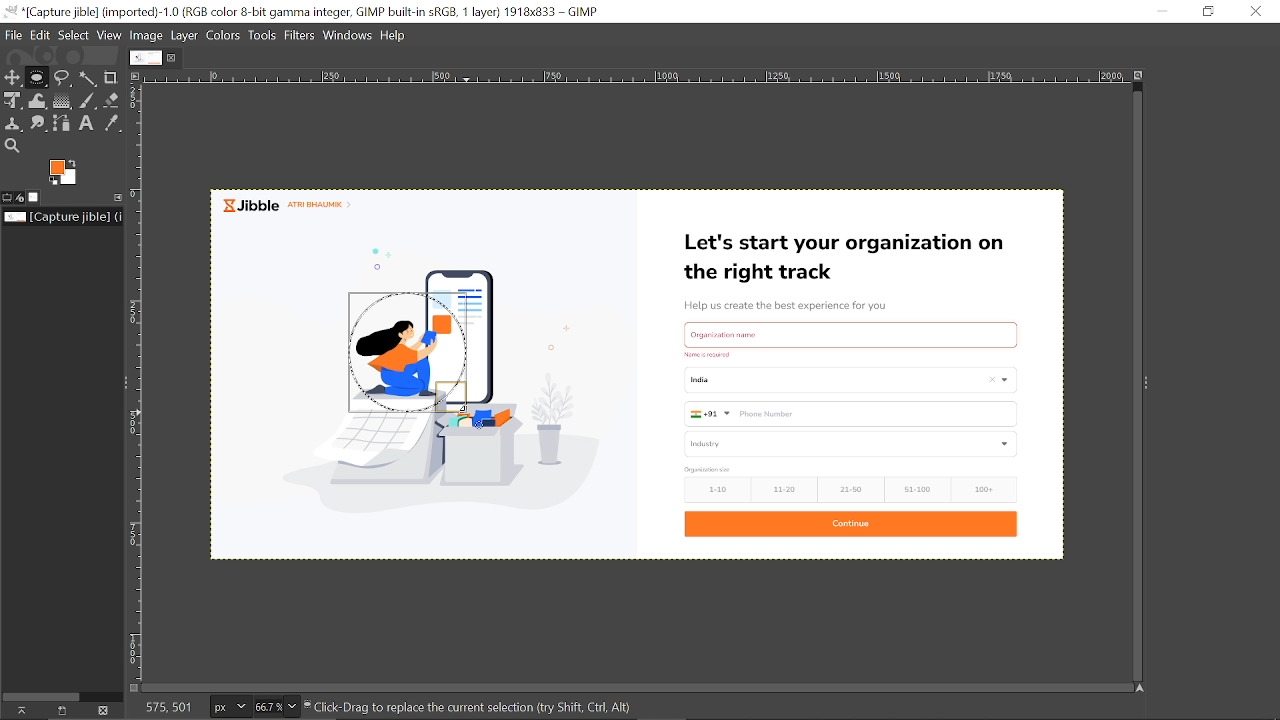 The height and width of the screenshot is (720, 1280). I want to click on cursor, so click(466, 416).